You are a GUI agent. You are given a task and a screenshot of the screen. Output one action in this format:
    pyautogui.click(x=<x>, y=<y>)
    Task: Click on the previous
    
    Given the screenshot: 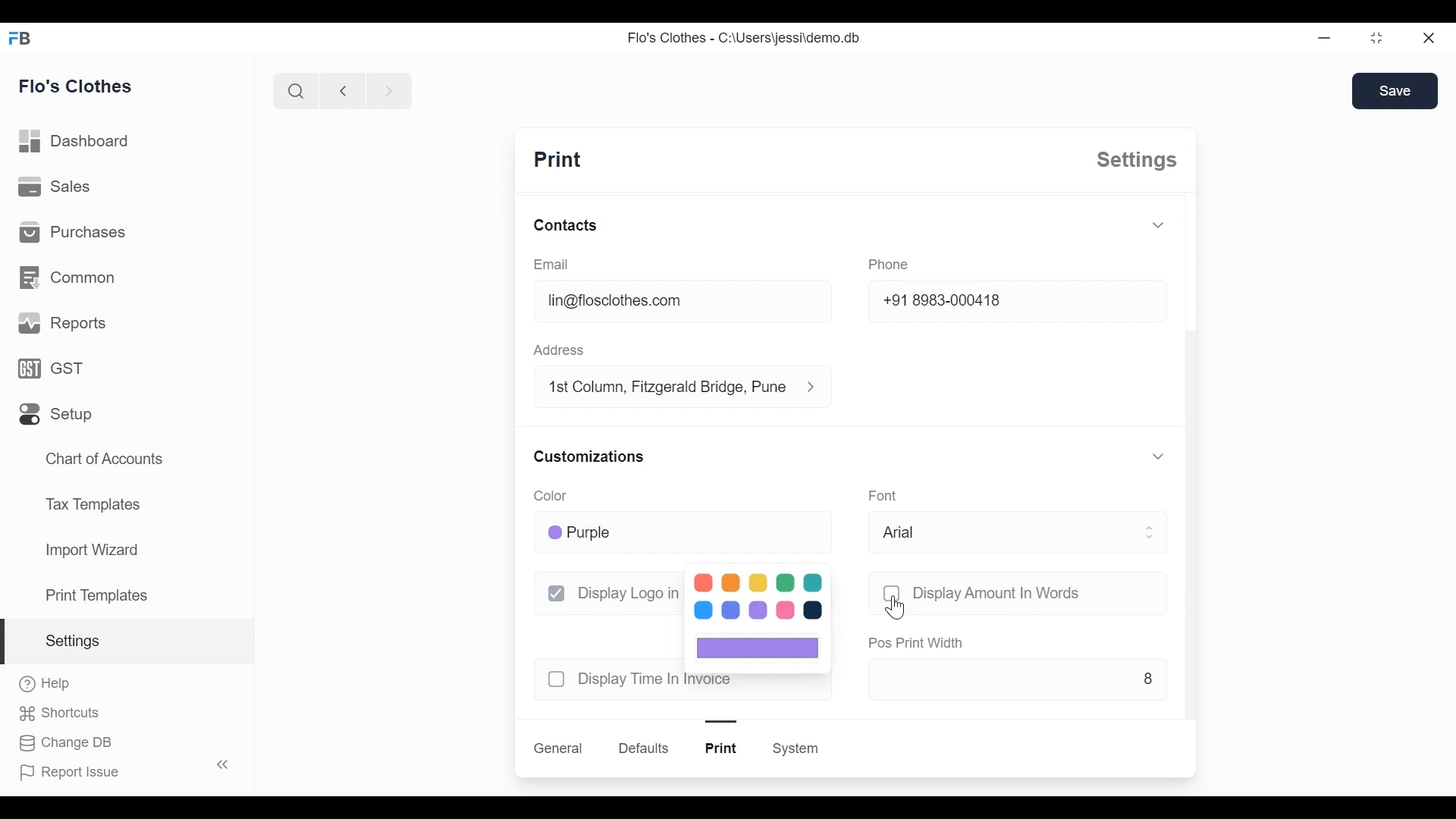 What is the action you would take?
    pyautogui.click(x=343, y=90)
    